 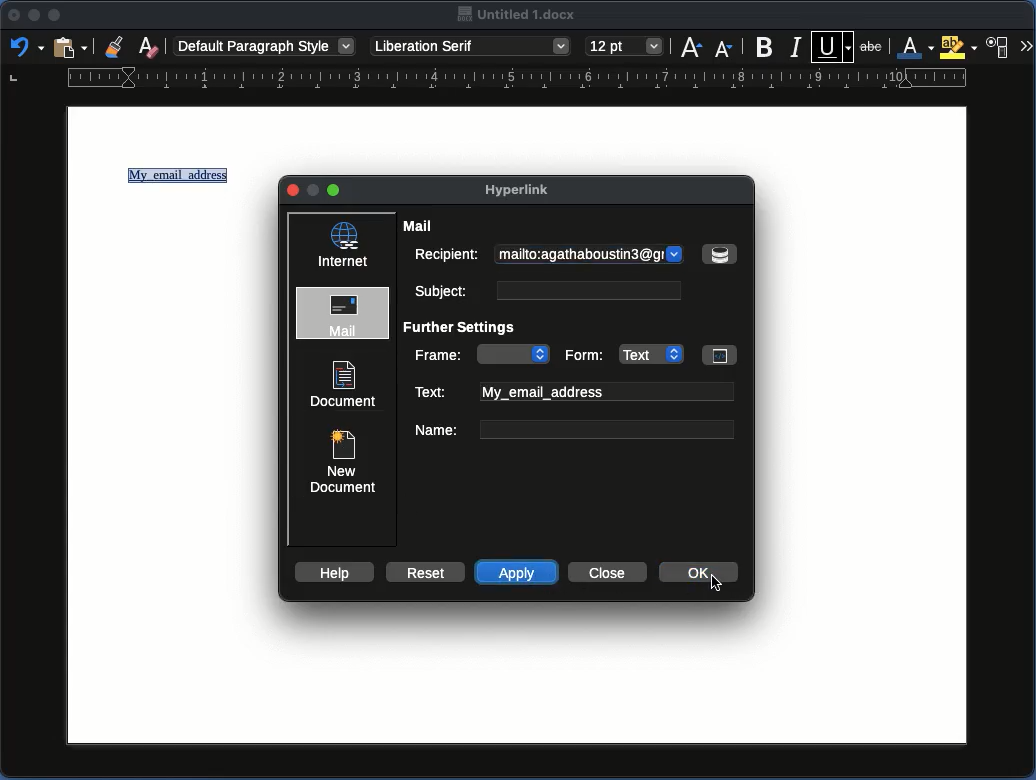 What do you see at coordinates (34, 16) in the screenshot?
I see `Minimize` at bounding box center [34, 16].